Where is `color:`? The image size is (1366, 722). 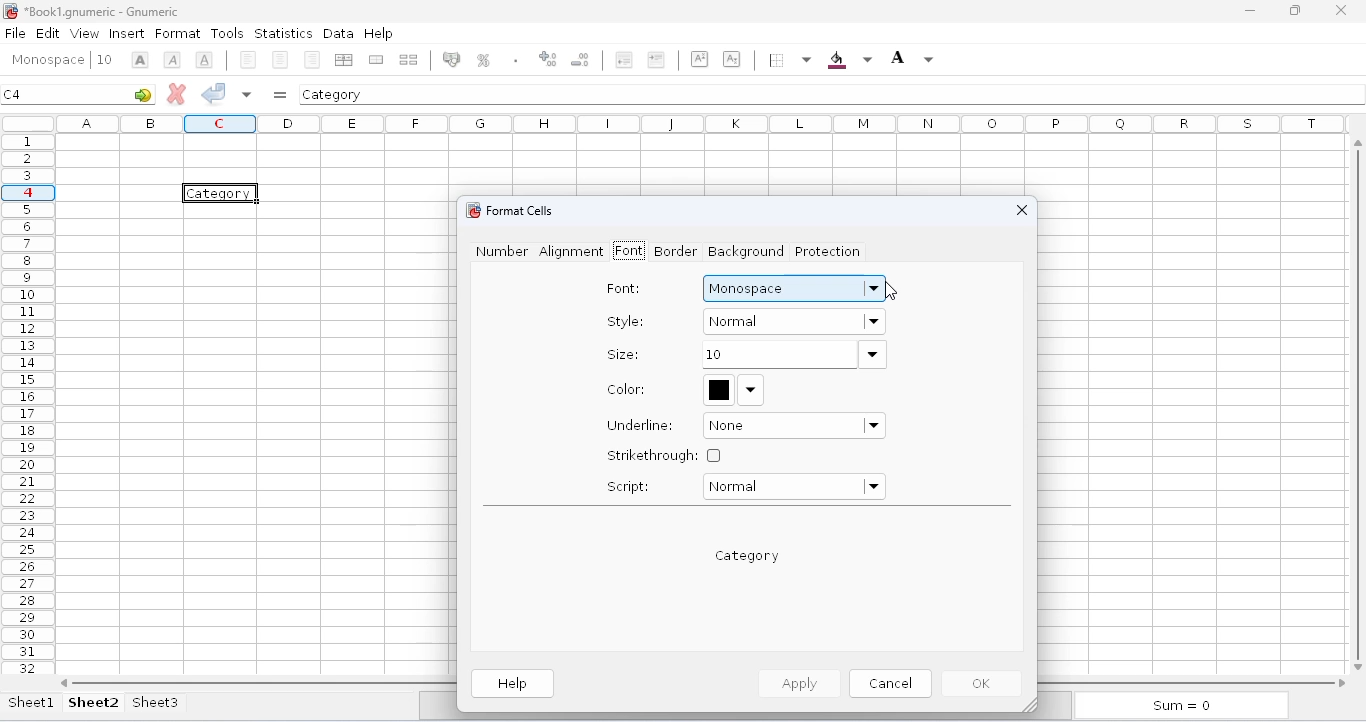
color: is located at coordinates (627, 389).